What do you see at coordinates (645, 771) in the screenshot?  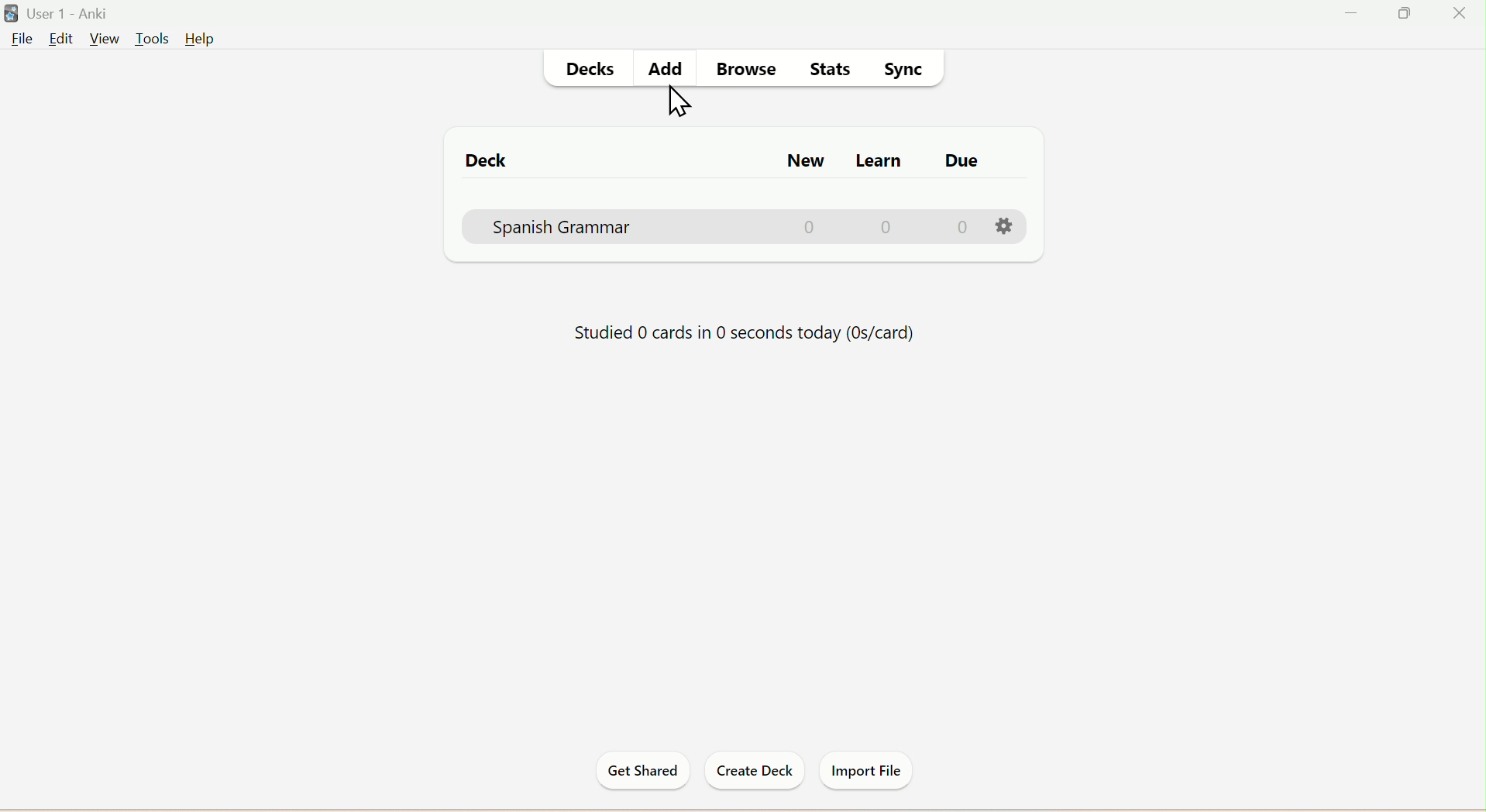 I see `Get Started` at bounding box center [645, 771].